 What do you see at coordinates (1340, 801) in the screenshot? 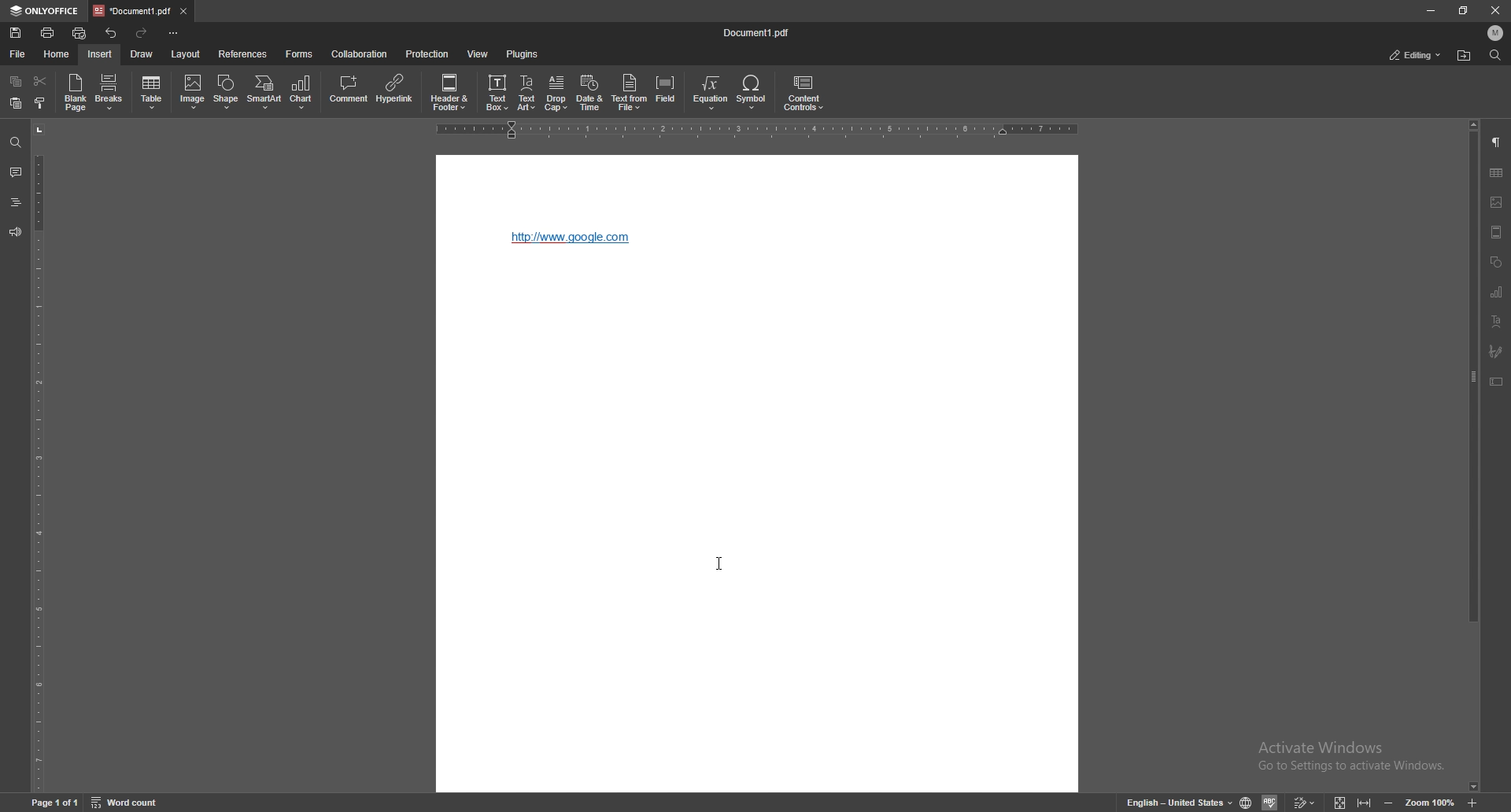
I see `fit to screen` at bounding box center [1340, 801].